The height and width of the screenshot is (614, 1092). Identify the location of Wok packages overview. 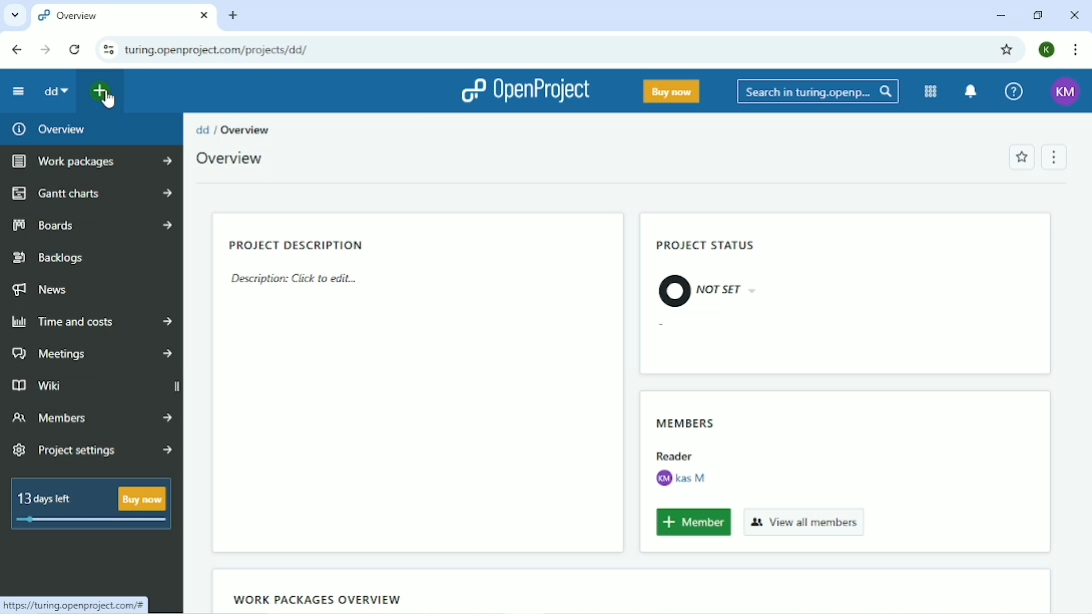
(317, 599).